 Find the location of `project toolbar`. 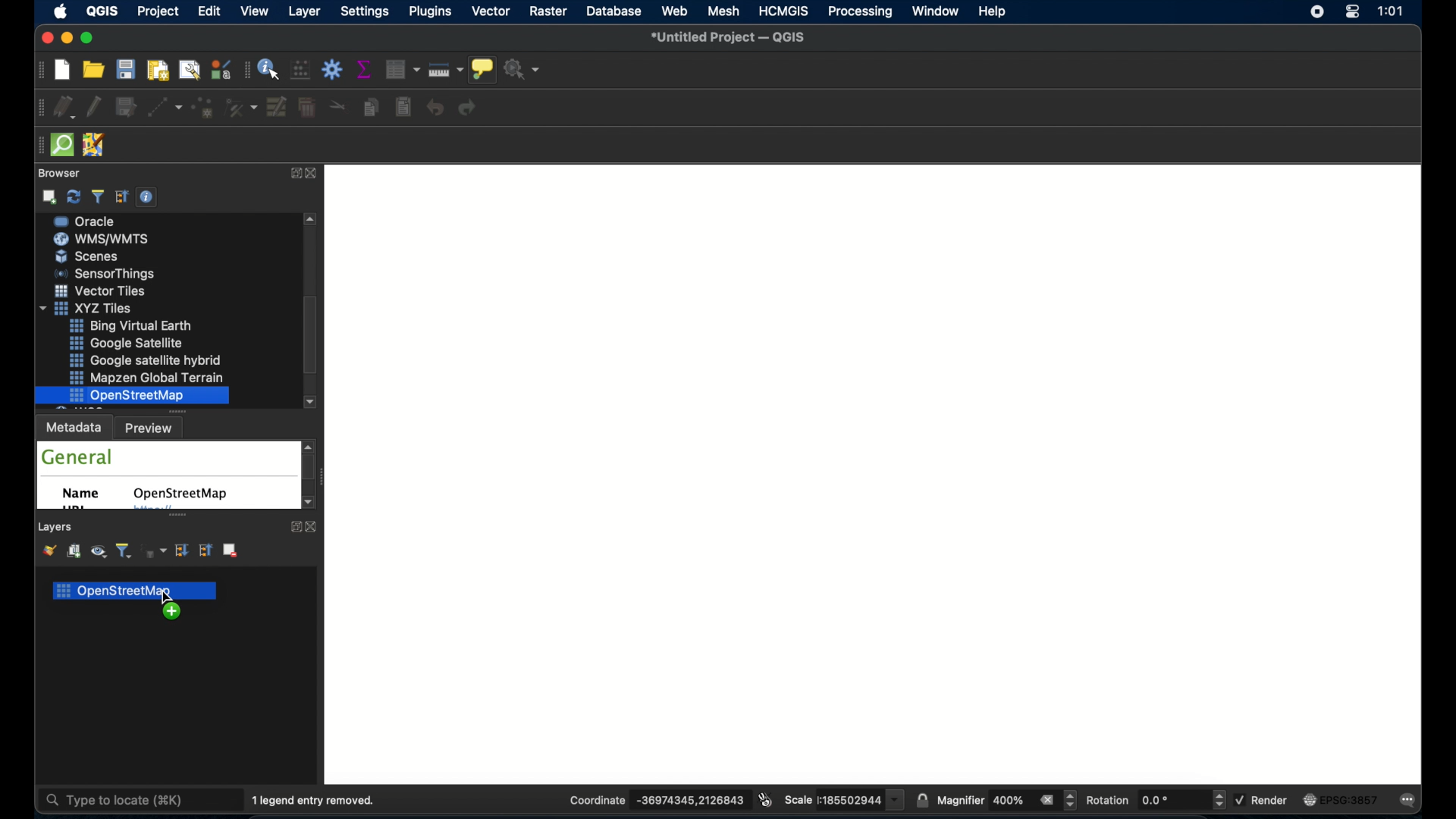

project toolbar is located at coordinates (38, 73).